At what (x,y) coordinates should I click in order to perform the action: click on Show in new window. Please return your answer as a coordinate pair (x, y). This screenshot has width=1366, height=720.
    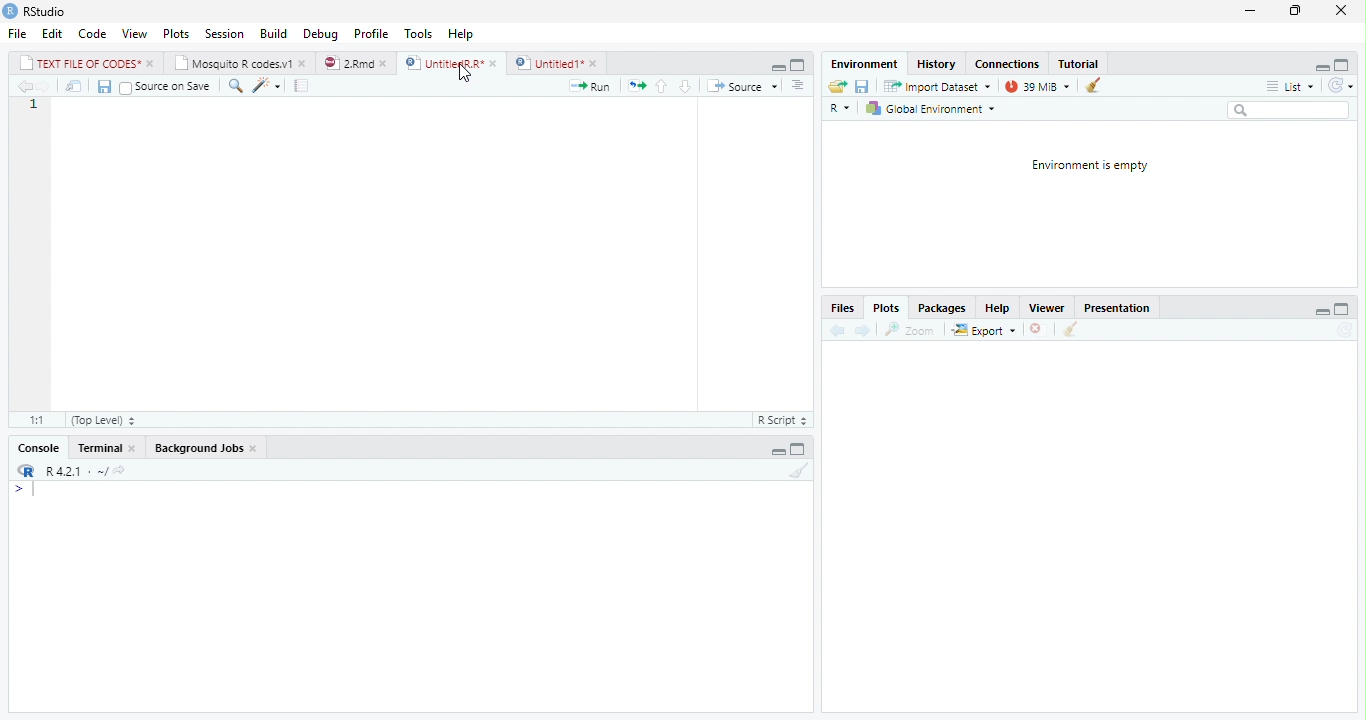
    Looking at the image, I should click on (70, 86).